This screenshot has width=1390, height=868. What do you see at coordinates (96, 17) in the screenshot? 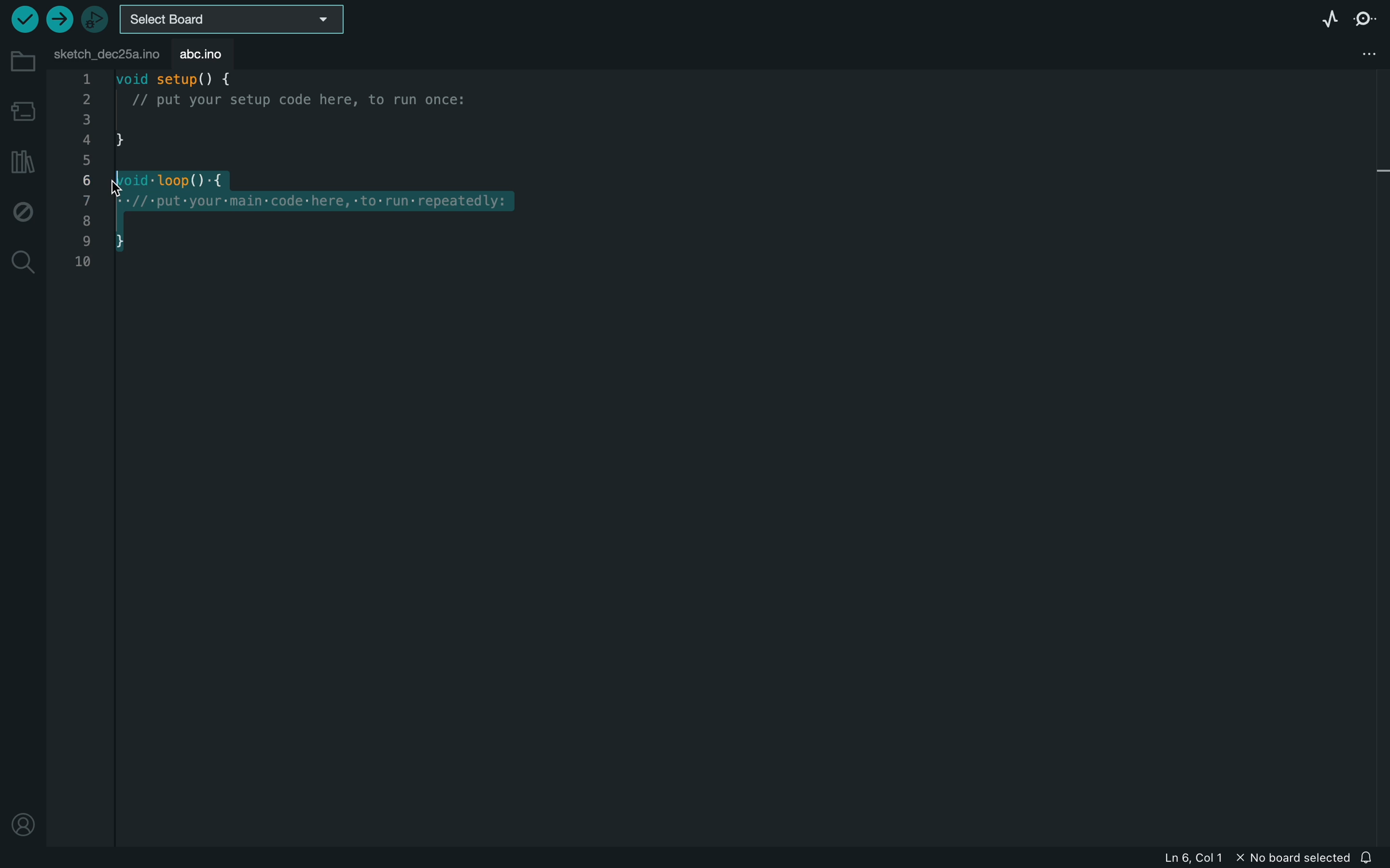
I see `debugger` at bounding box center [96, 17].